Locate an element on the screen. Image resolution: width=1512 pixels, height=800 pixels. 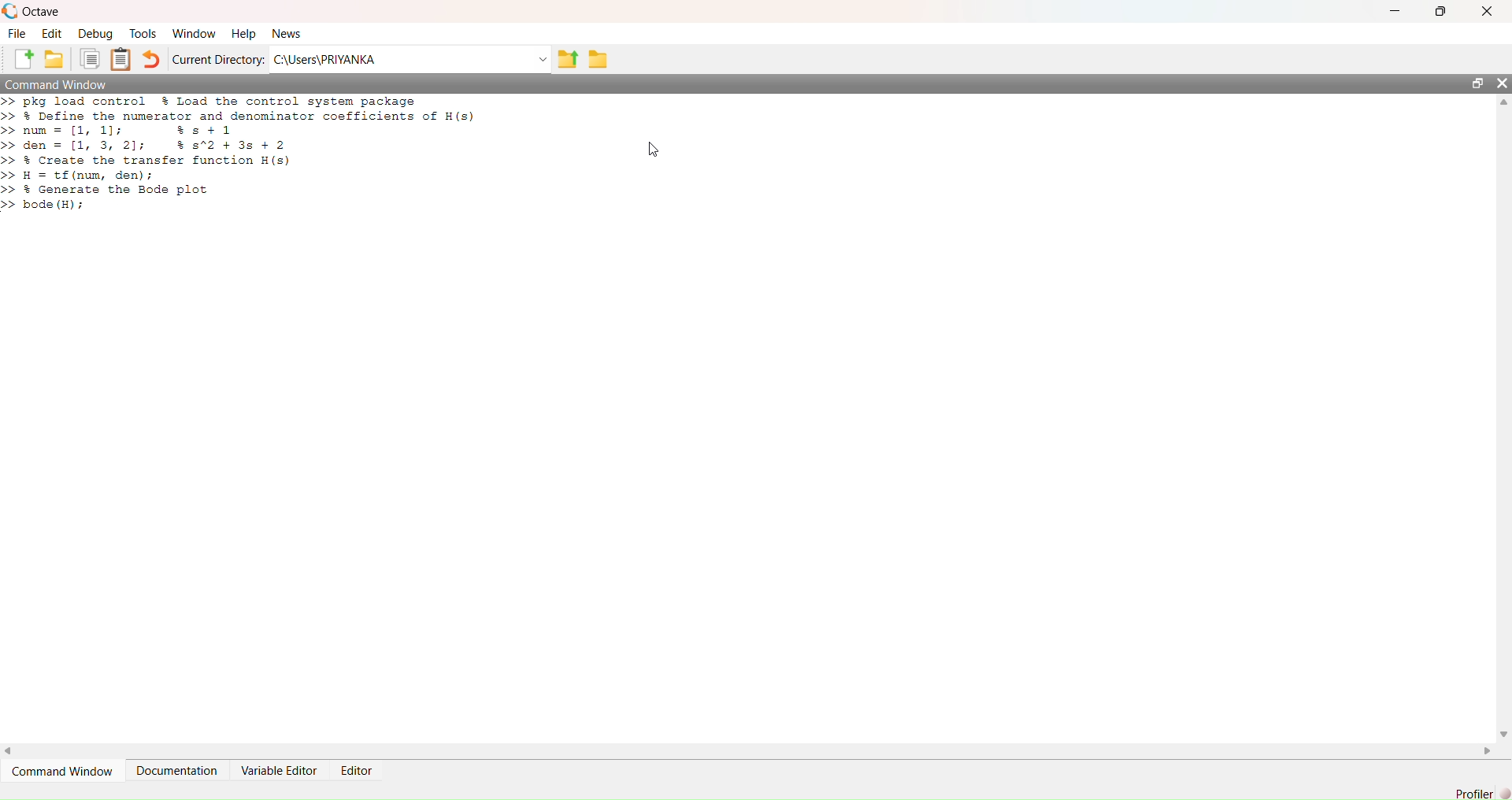
Browse Directions is located at coordinates (598, 58).